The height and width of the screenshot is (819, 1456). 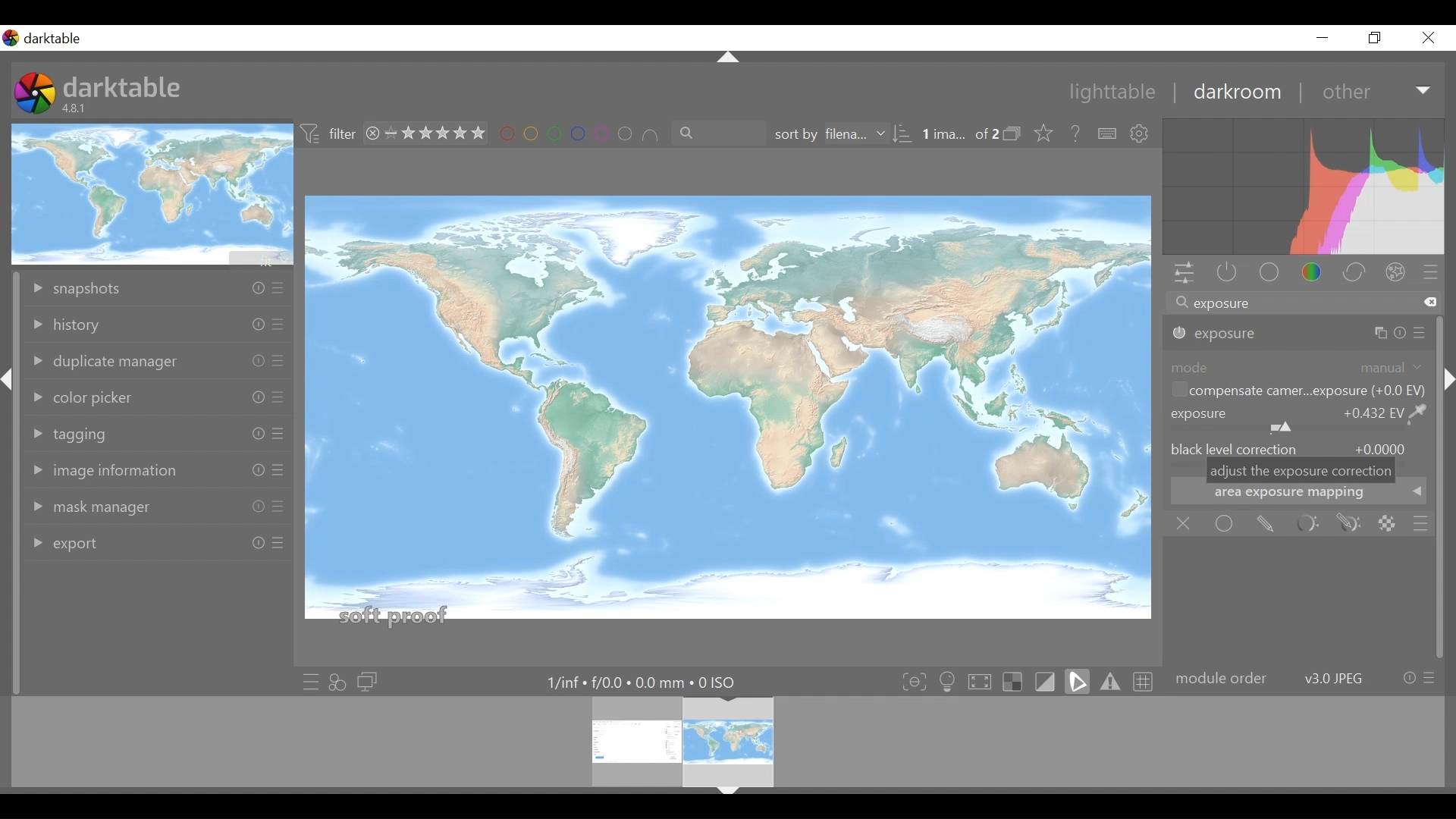 I want to click on drawn mask, so click(x=1264, y=524).